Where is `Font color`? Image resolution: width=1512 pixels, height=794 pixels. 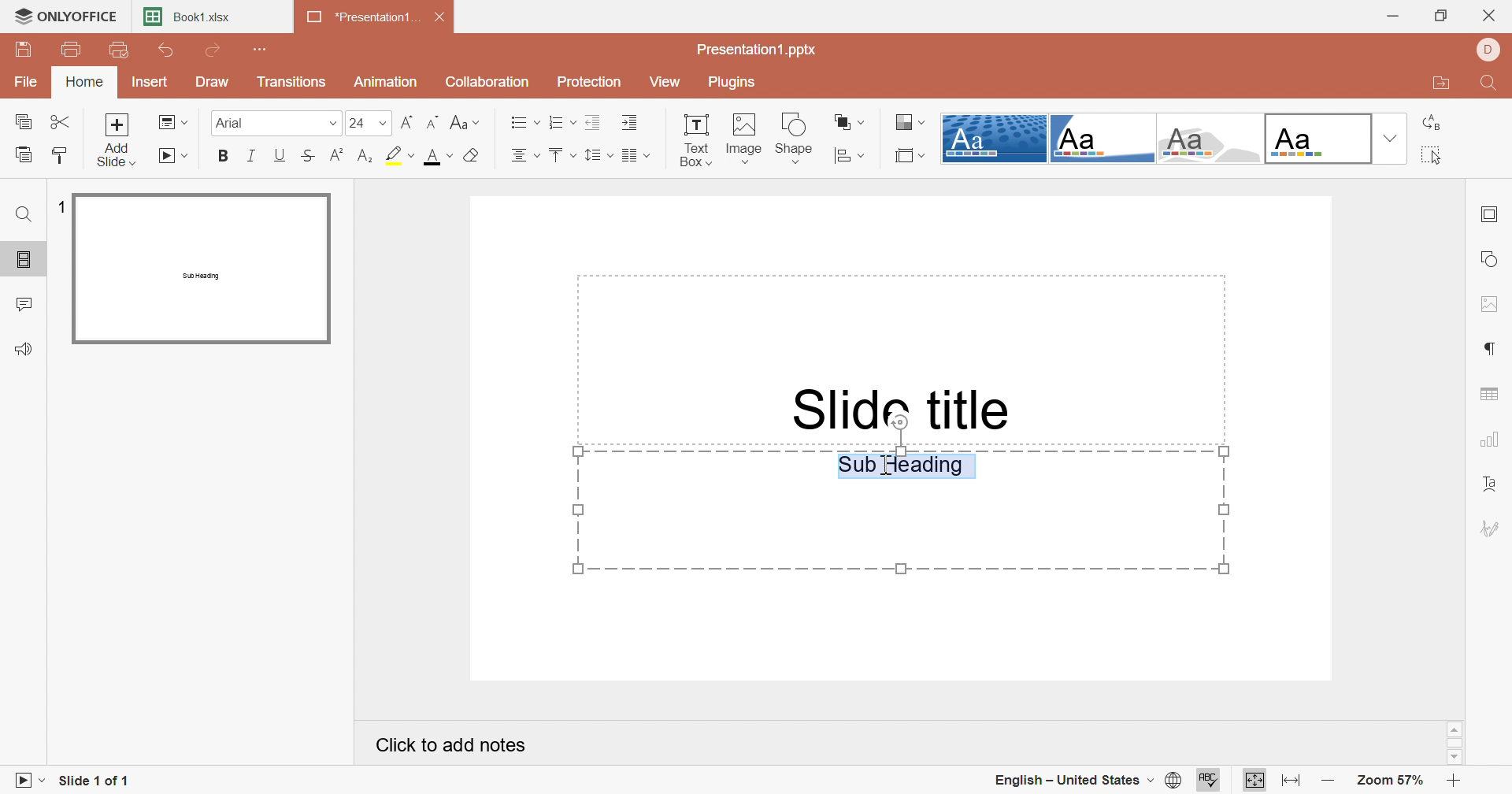 Font color is located at coordinates (435, 156).